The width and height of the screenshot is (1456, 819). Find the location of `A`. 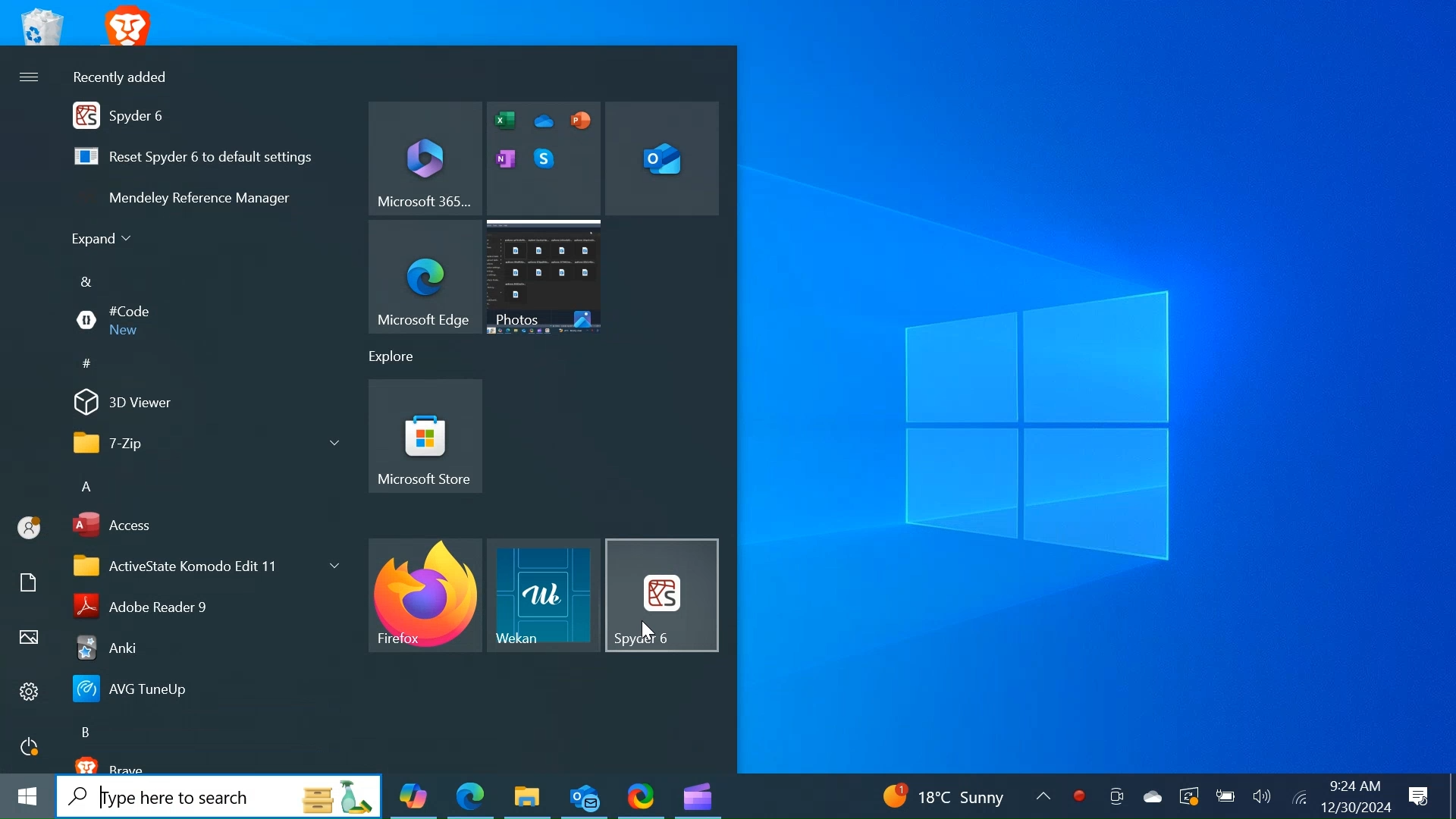

A is located at coordinates (87, 488).